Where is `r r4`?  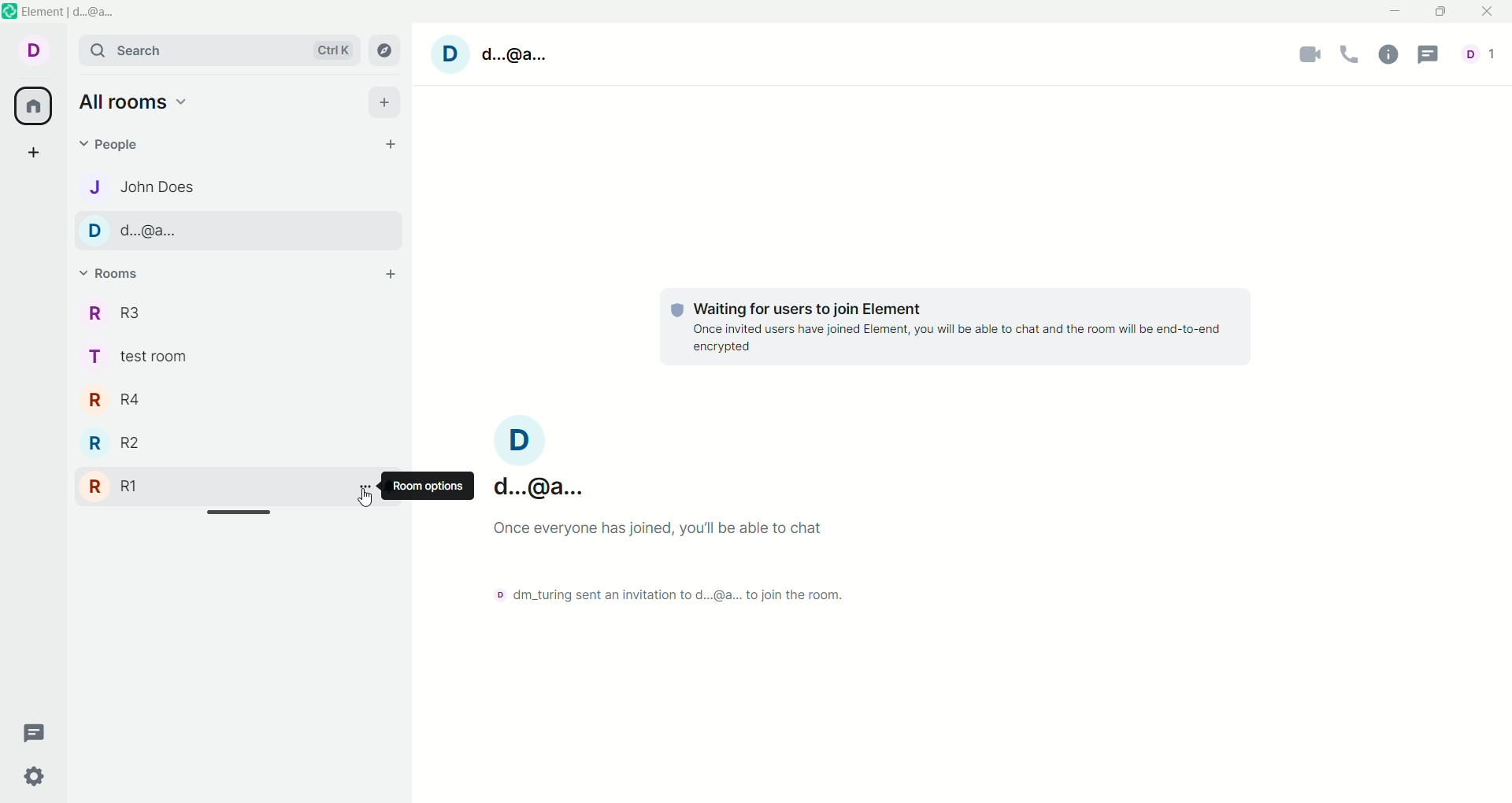
r r4 is located at coordinates (121, 402).